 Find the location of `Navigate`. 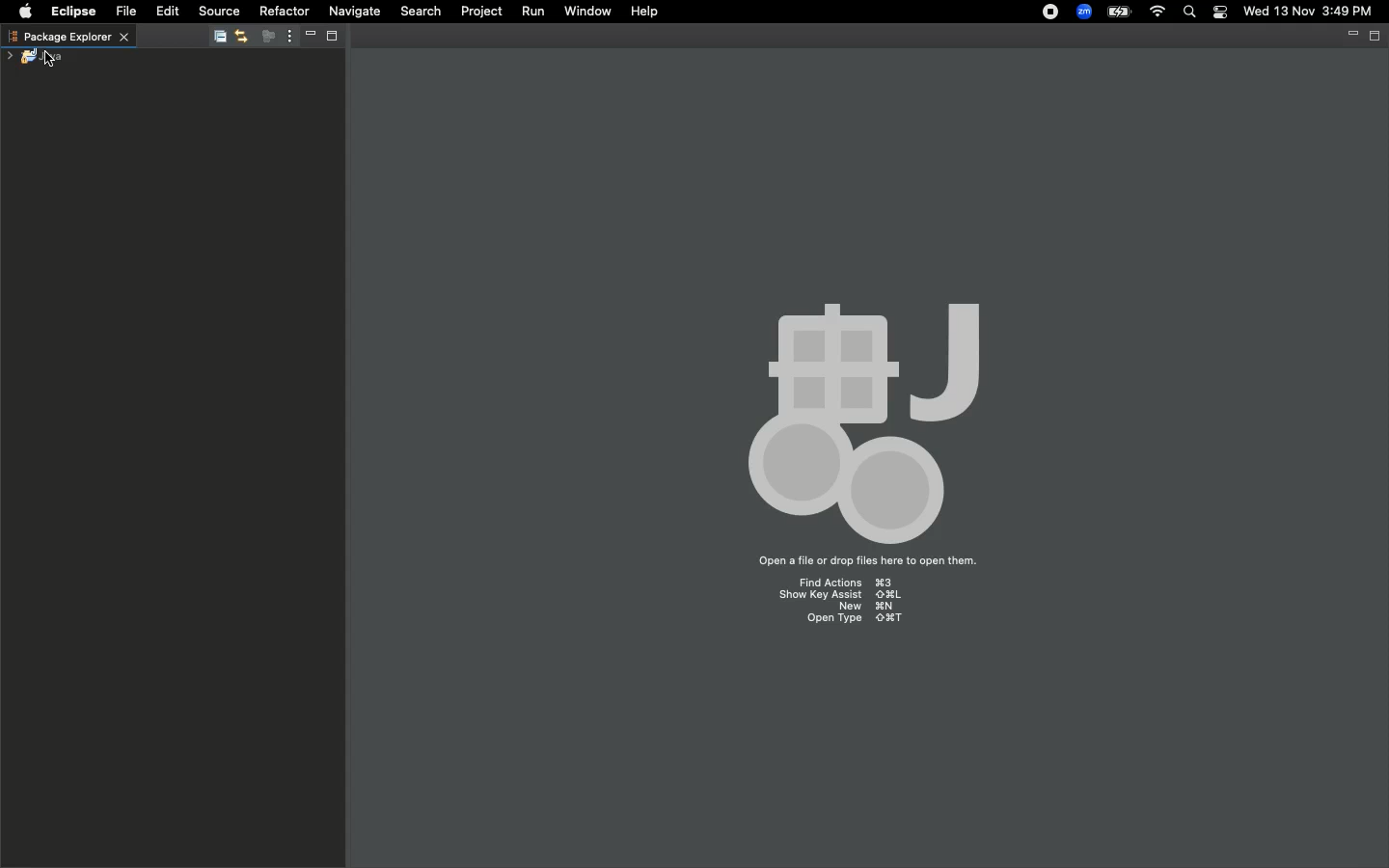

Navigate is located at coordinates (354, 14).